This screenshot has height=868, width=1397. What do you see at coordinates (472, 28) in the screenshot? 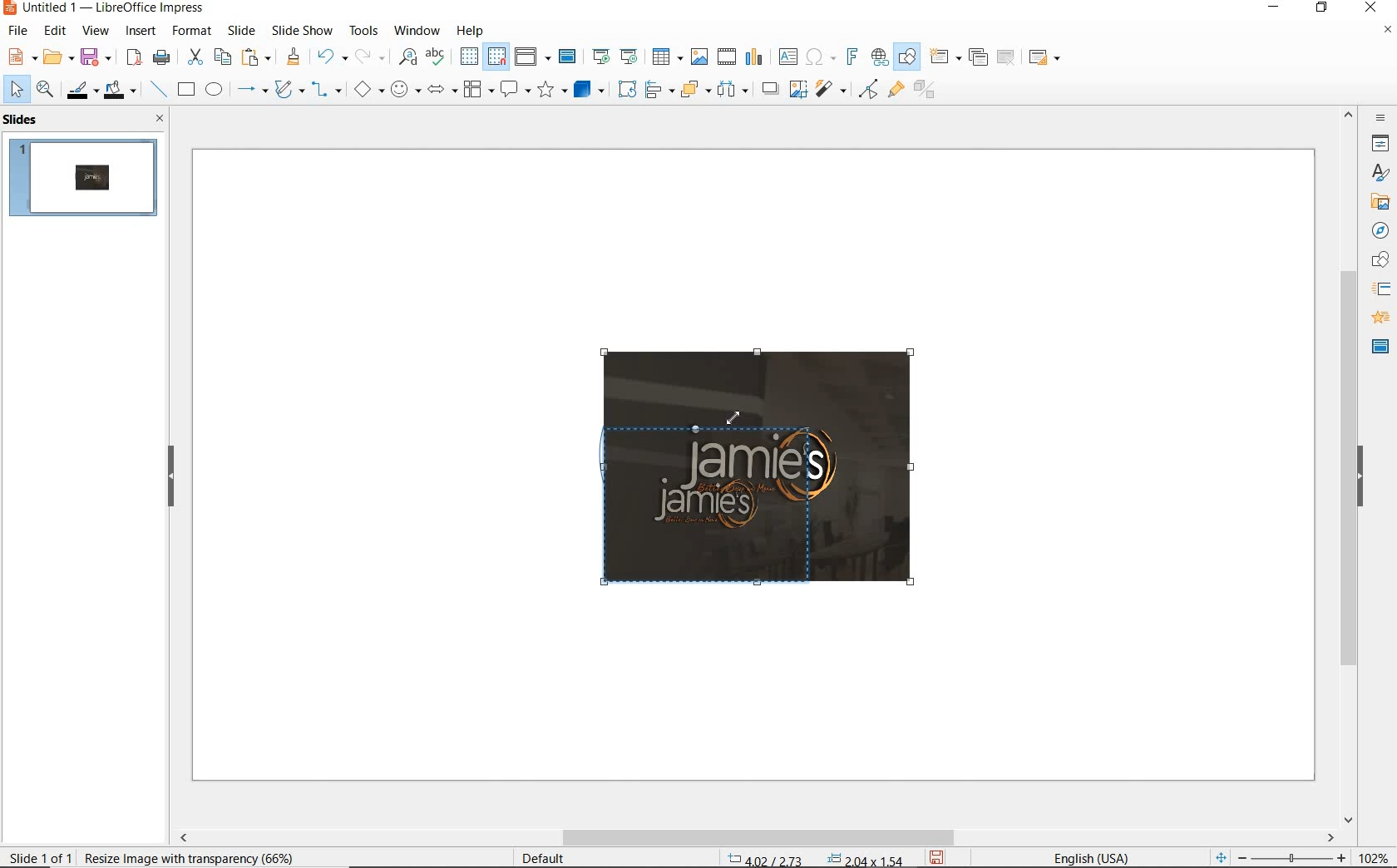
I see `help` at bounding box center [472, 28].